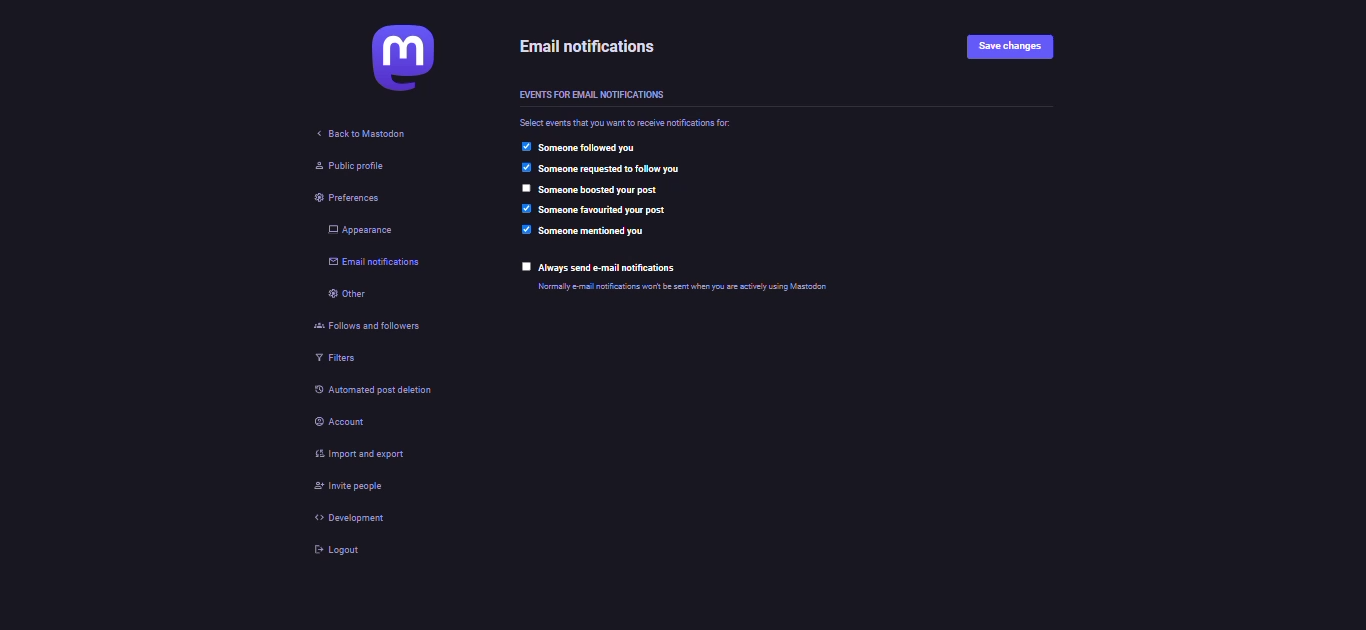 Image resolution: width=1366 pixels, height=630 pixels. What do you see at coordinates (393, 389) in the screenshot?
I see `automated post deletion` at bounding box center [393, 389].